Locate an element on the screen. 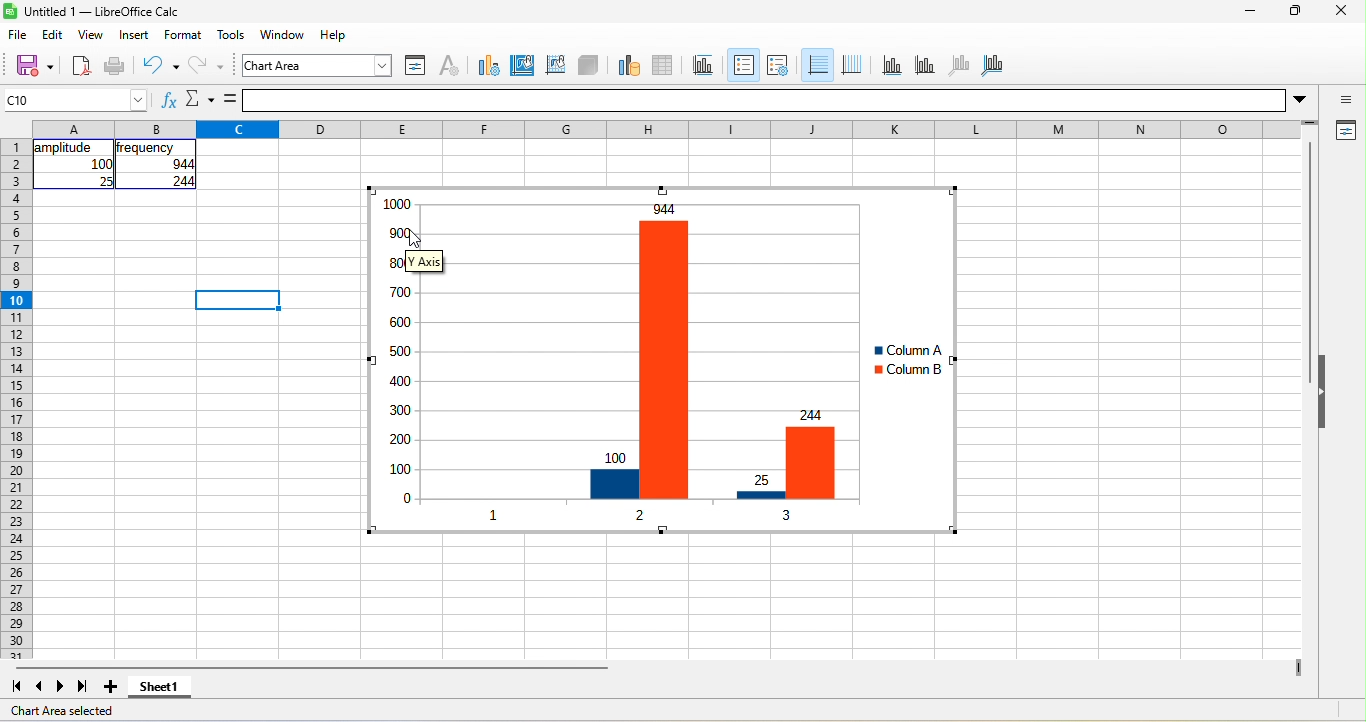 This screenshot has width=1366, height=722. format is located at coordinates (187, 35).